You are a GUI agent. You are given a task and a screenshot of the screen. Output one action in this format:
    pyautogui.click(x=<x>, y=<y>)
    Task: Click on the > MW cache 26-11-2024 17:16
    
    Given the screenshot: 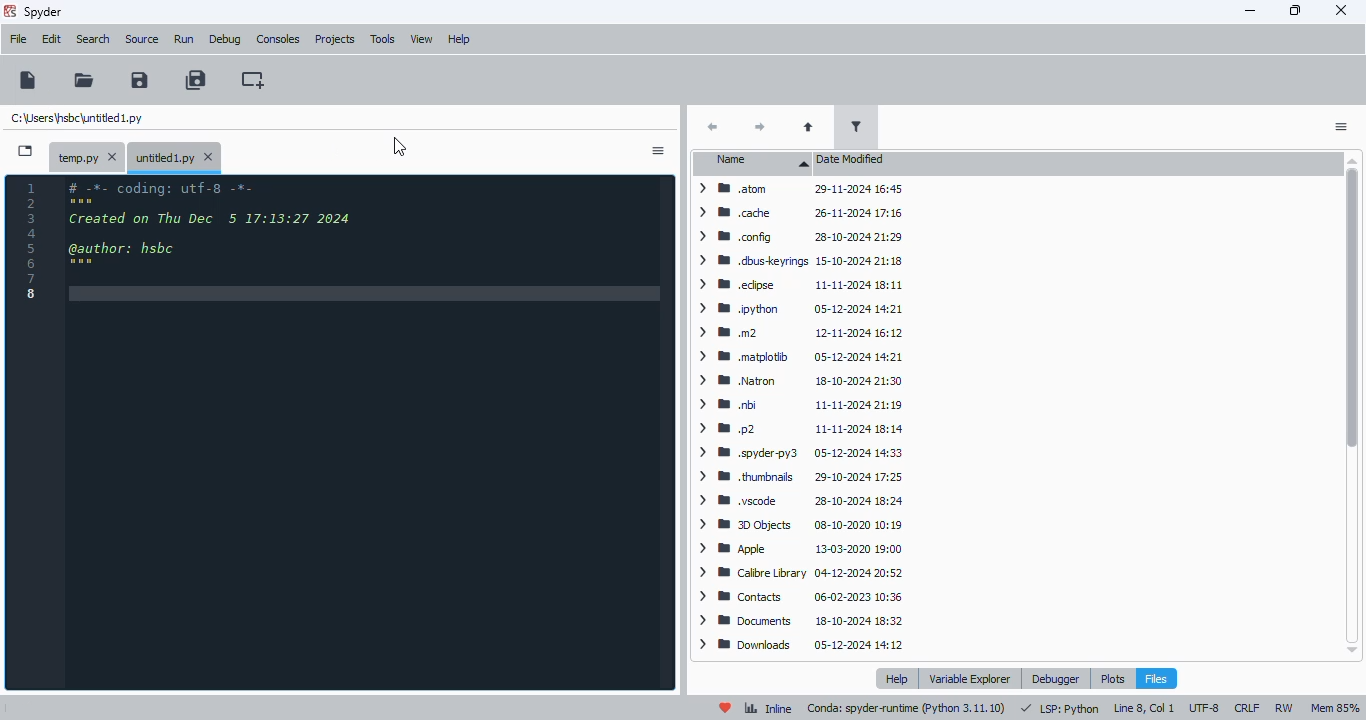 What is the action you would take?
    pyautogui.click(x=798, y=213)
    